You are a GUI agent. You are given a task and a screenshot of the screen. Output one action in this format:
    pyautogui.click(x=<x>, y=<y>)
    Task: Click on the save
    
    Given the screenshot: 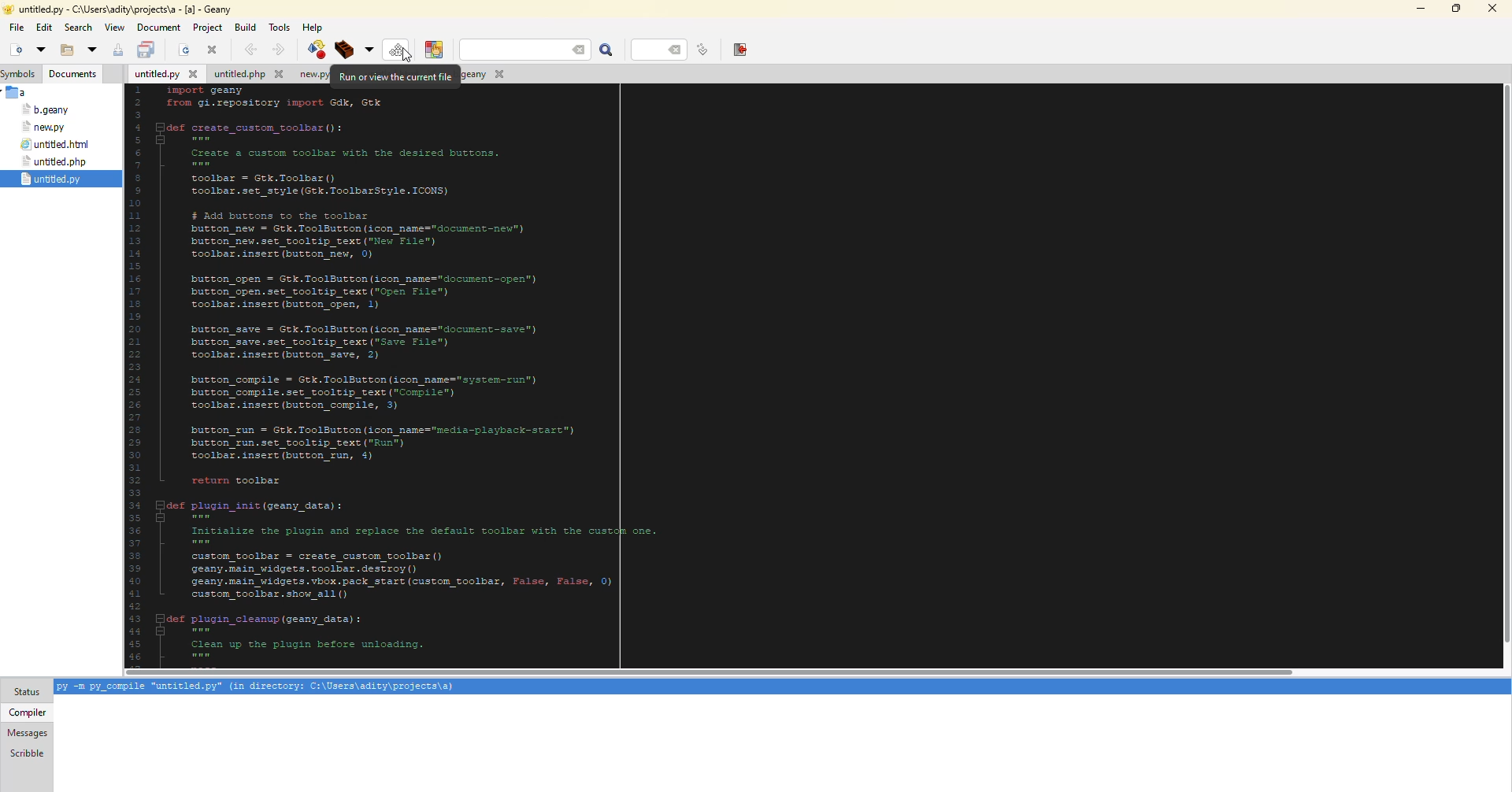 What is the action you would take?
    pyautogui.click(x=147, y=50)
    